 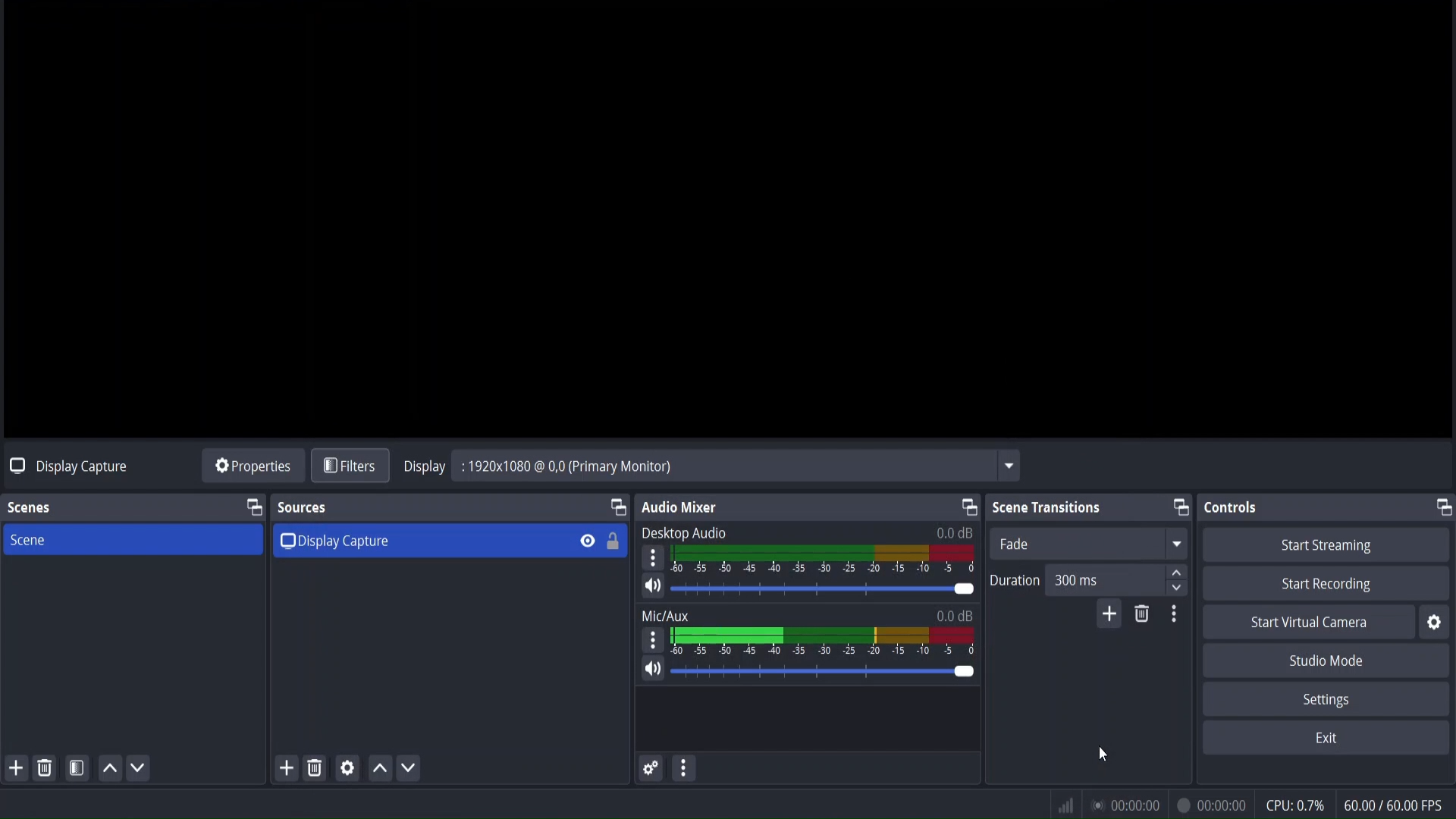 What do you see at coordinates (253, 468) in the screenshot?
I see `source properties` at bounding box center [253, 468].